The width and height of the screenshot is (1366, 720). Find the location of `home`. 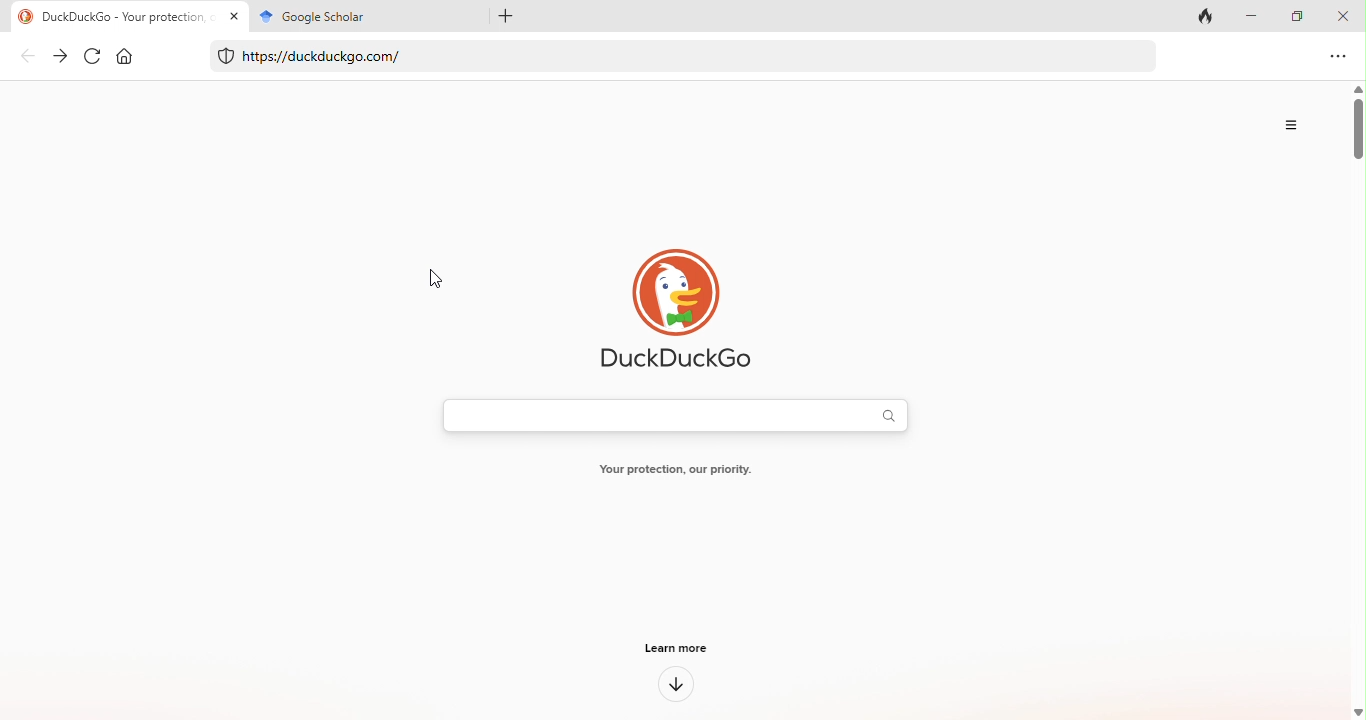

home is located at coordinates (130, 56).